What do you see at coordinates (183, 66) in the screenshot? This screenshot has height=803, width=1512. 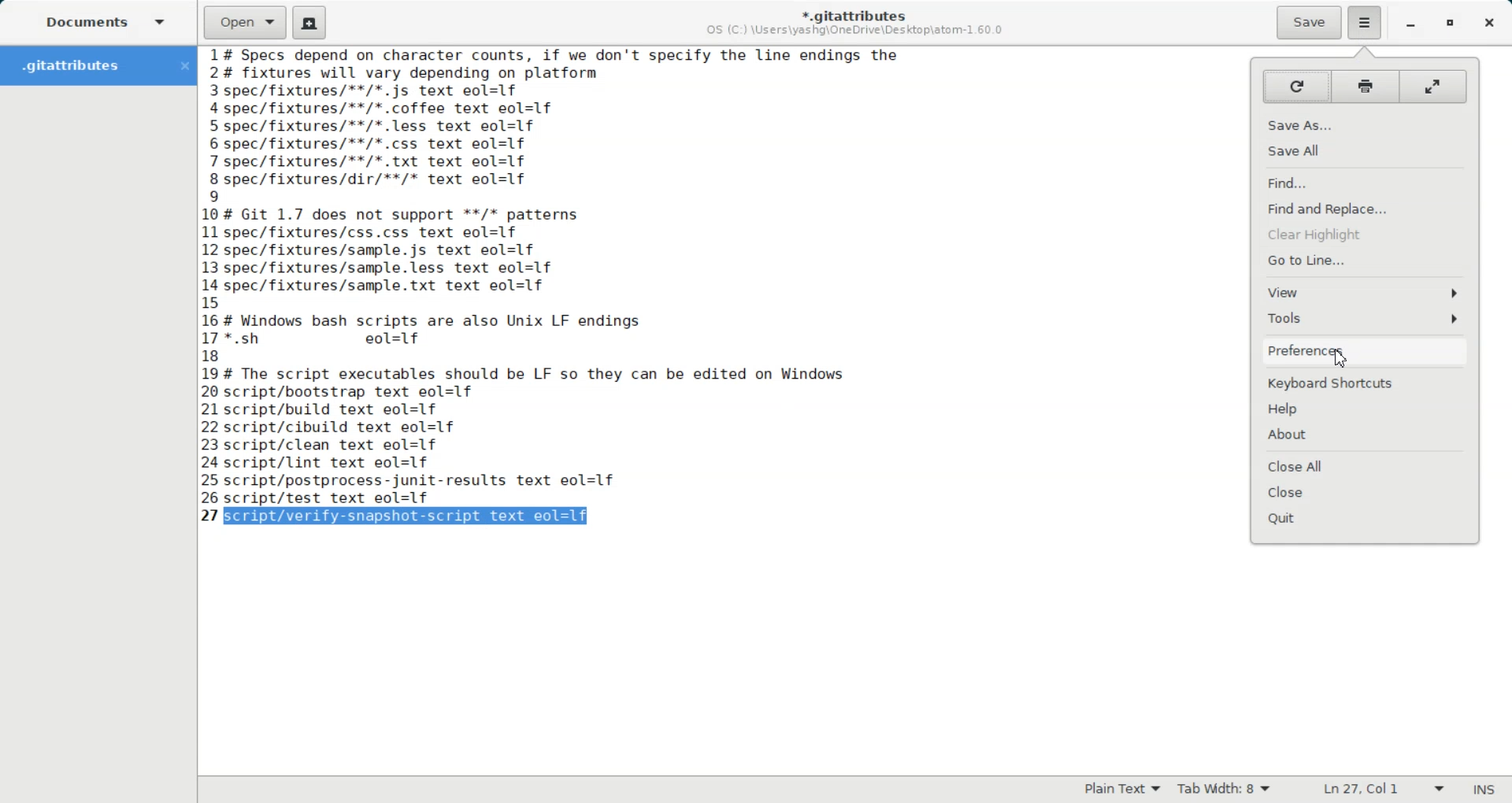 I see `Close Folder` at bounding box center [183, 66].